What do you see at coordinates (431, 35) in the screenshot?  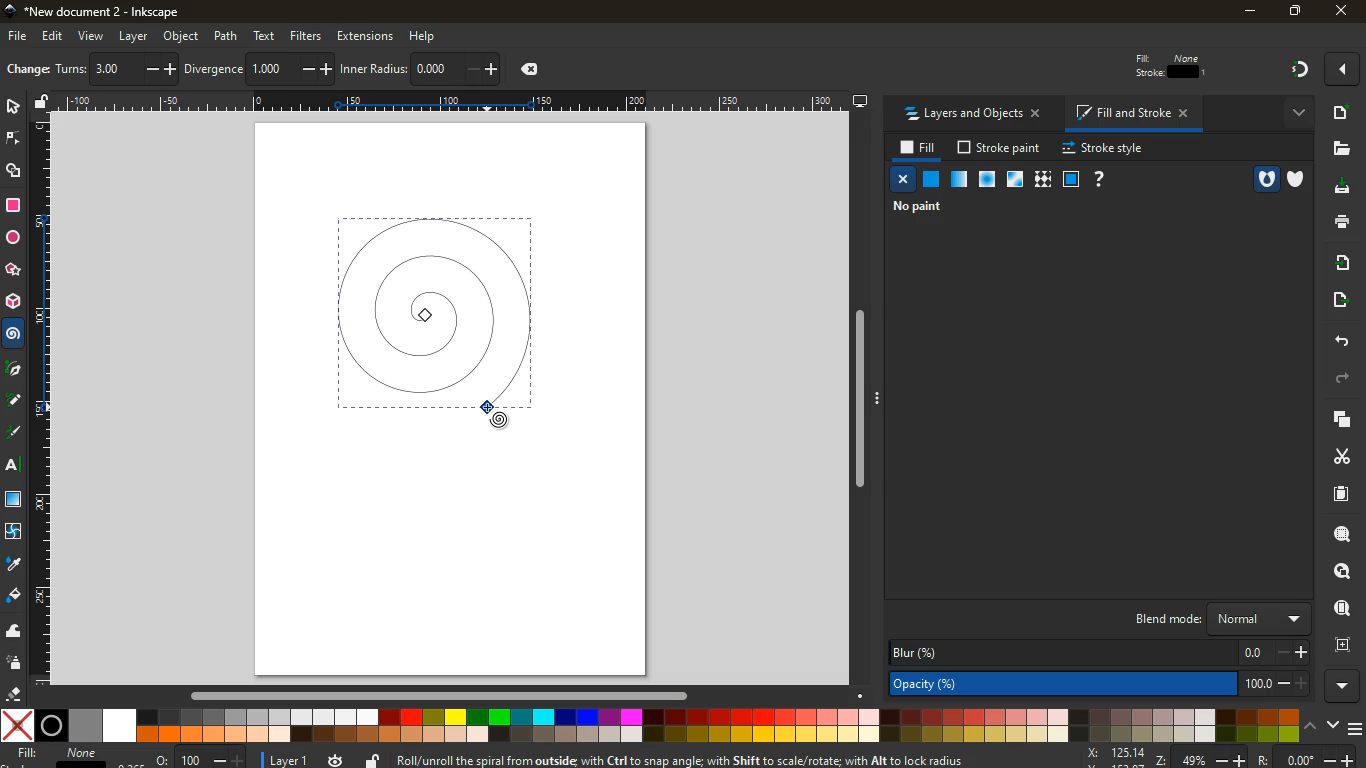 I see `help` at bounding box center [431, 35].